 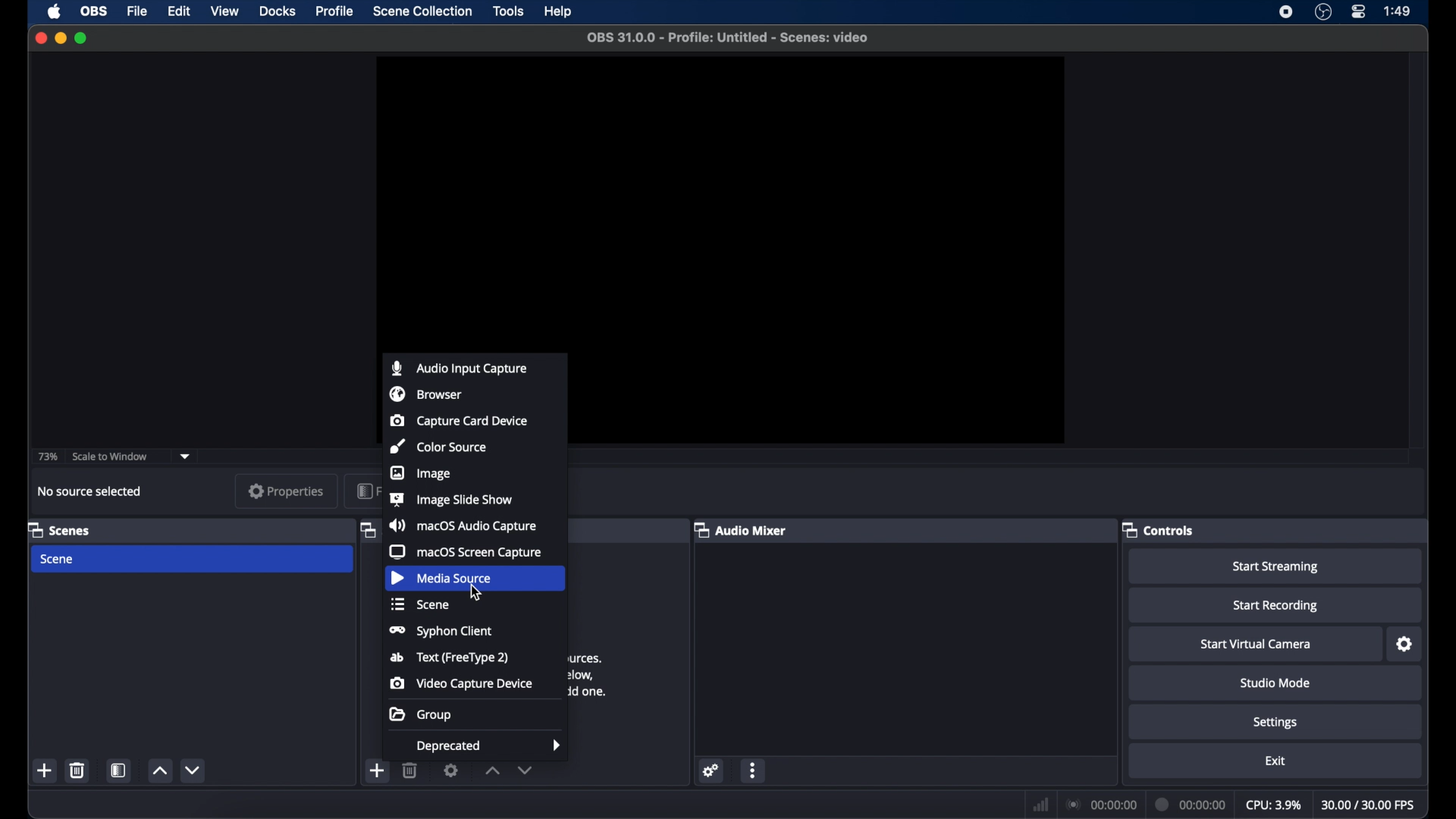 What do you see at coordinates (410, 771) in the screenshot?
I see `delete` at bounding box center [410, 771].